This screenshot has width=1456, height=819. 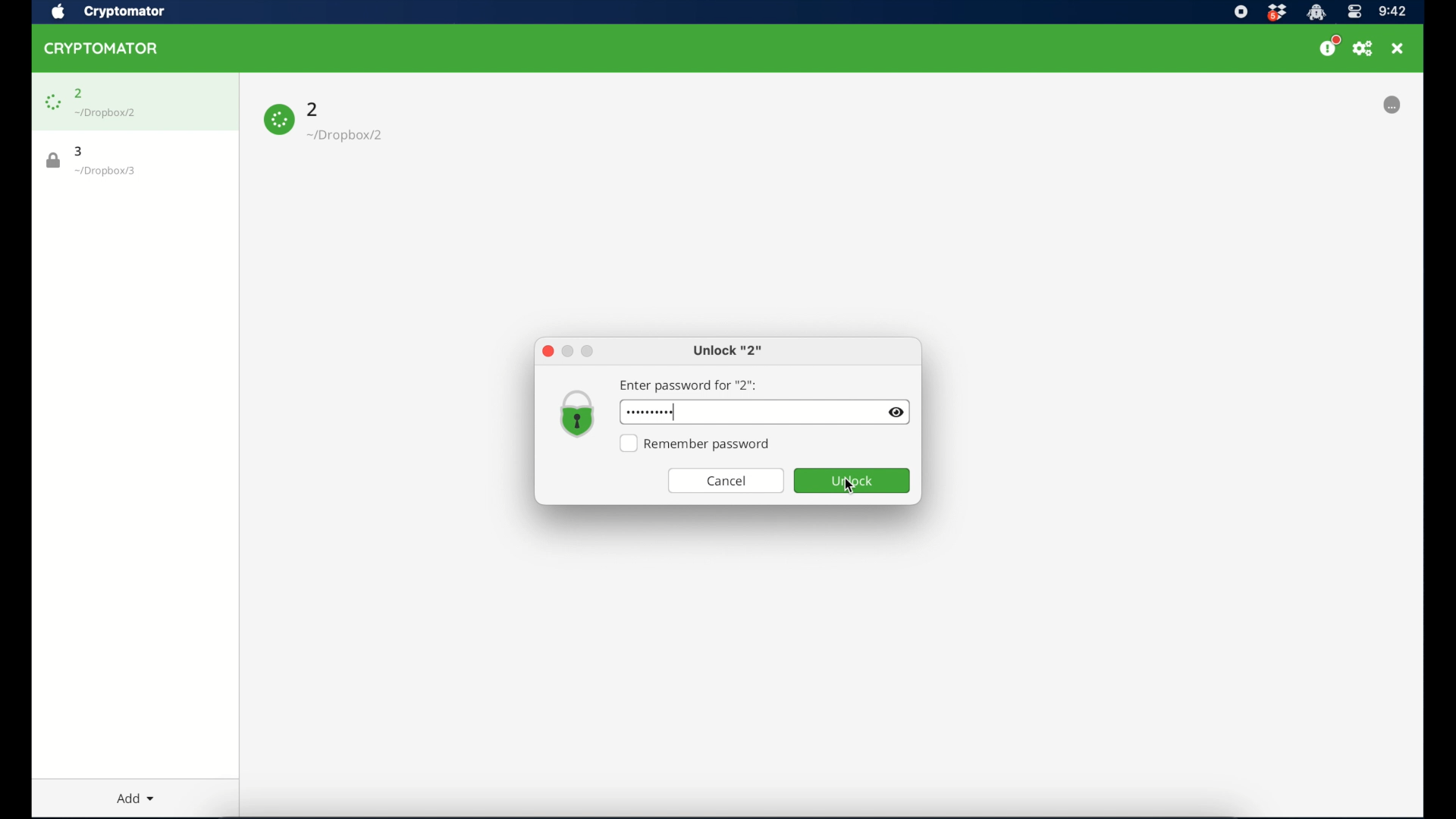 I want to click on cryptomator icon, so click(x=1316, y=13).